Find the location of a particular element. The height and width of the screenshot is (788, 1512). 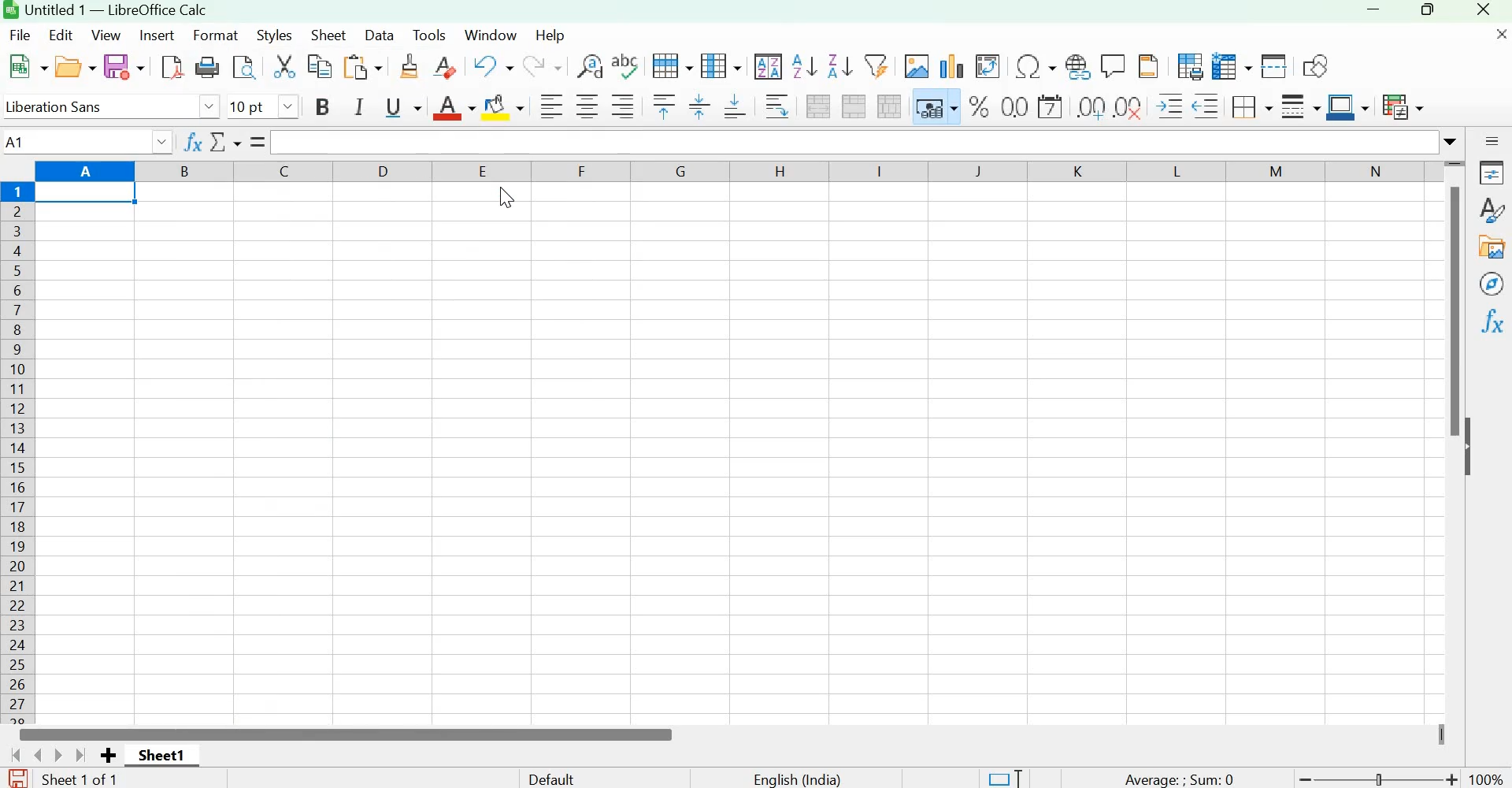

workspace is located at coordinates (737, 453).